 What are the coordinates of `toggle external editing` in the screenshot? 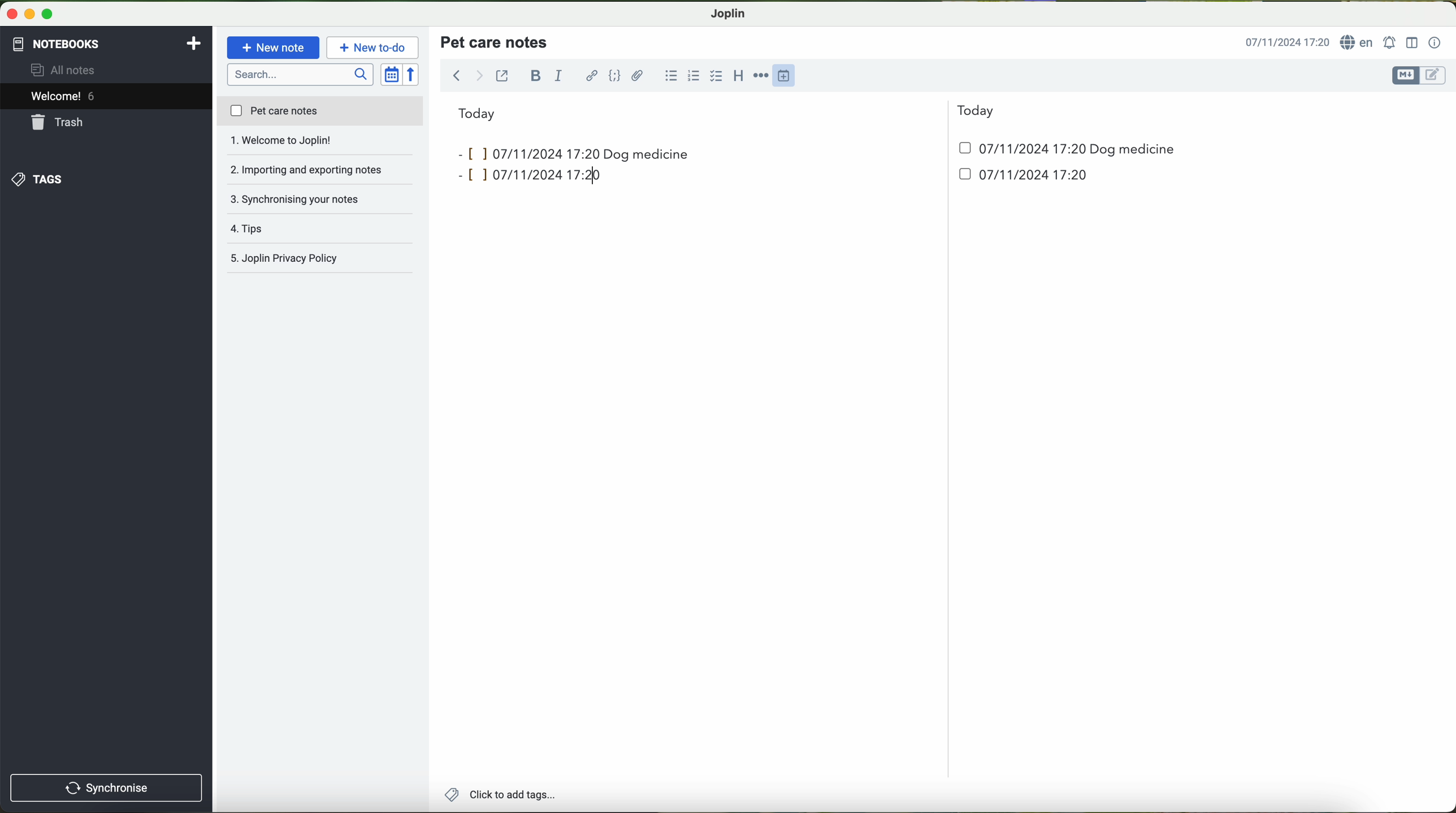 It's located at (502, 75).